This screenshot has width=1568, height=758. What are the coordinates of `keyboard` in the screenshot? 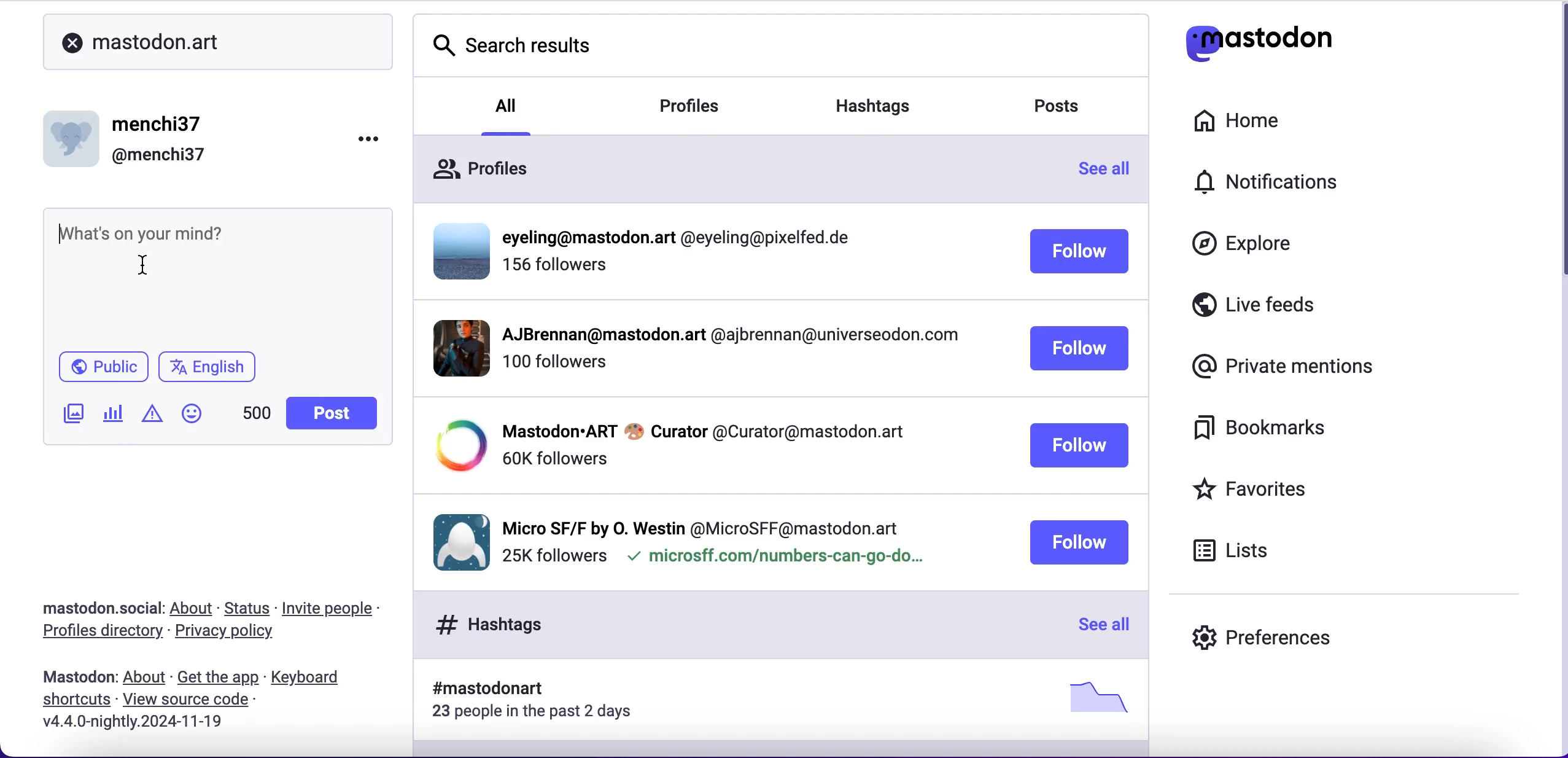 It's located at (309, 678).